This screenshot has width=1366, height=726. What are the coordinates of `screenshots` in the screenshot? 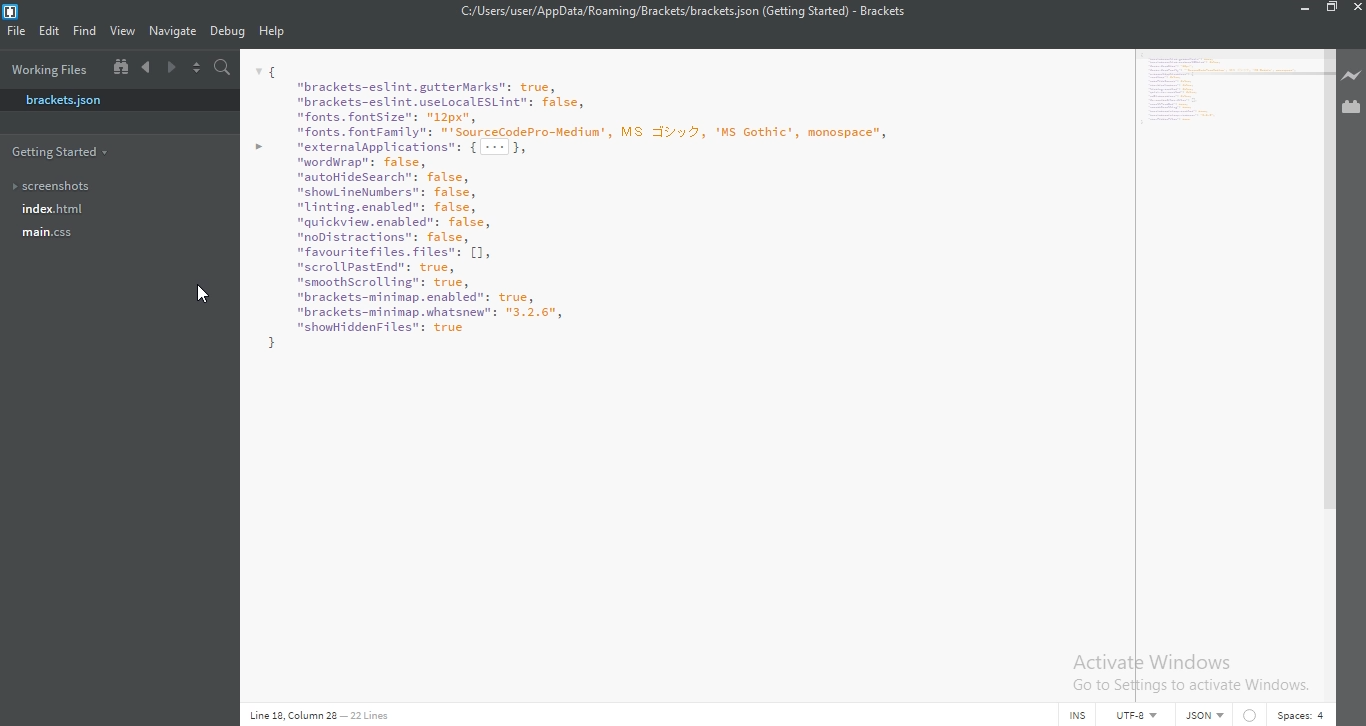 It's located at (53, 186).